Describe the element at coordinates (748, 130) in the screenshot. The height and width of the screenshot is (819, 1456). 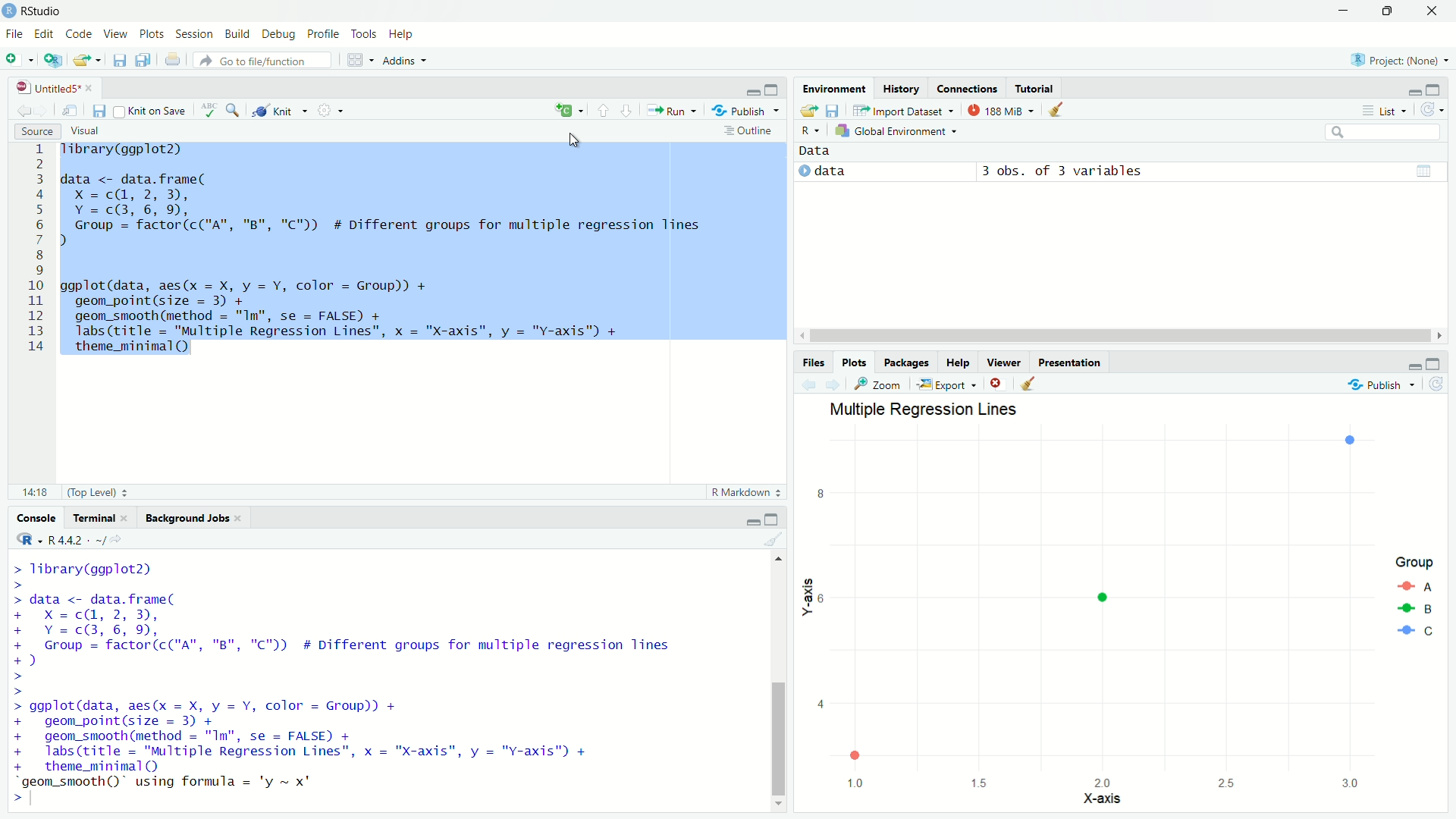
I see `Outline` at that location.